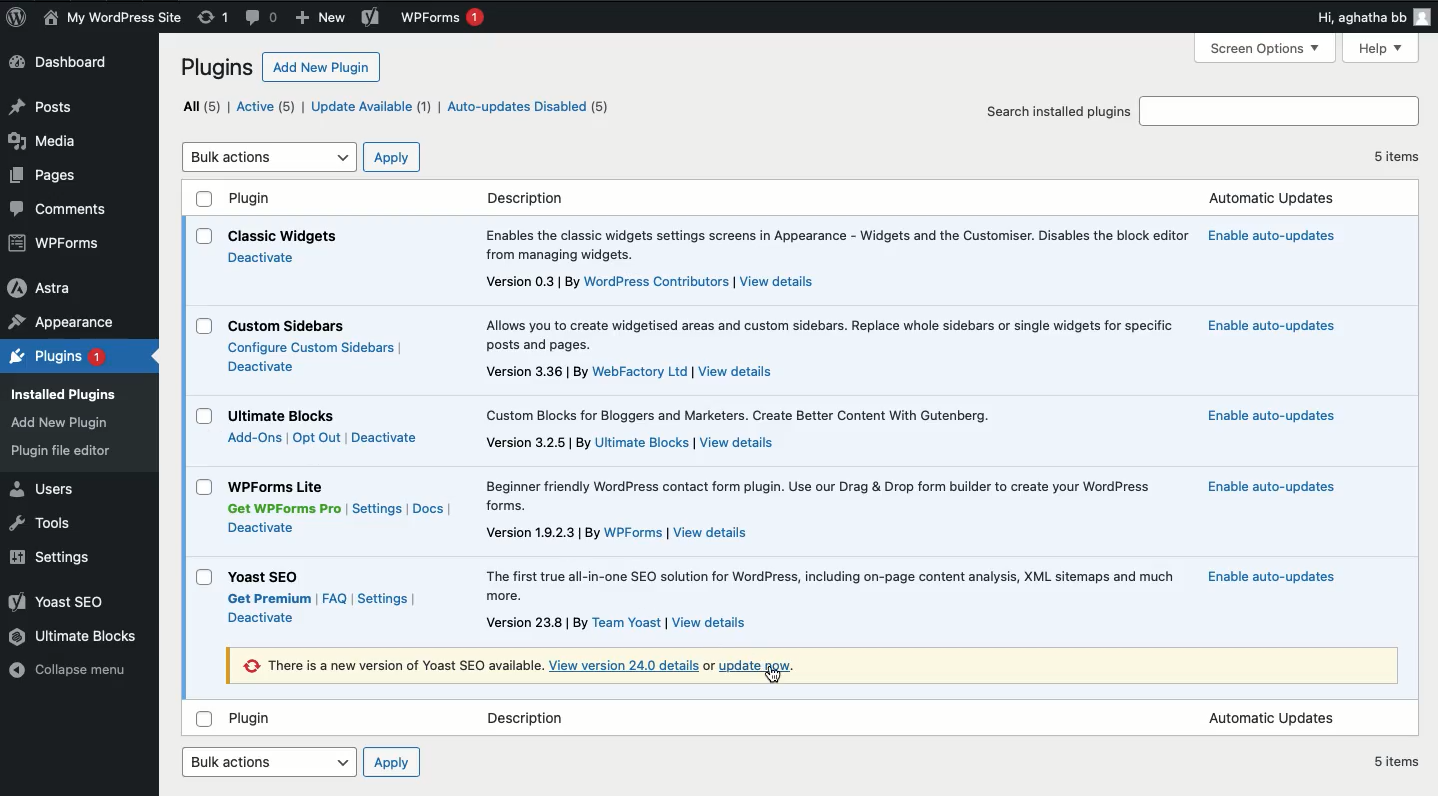 This screenshot has width=1438, height=796. I want to click on Checkbox, so click(205, 719).